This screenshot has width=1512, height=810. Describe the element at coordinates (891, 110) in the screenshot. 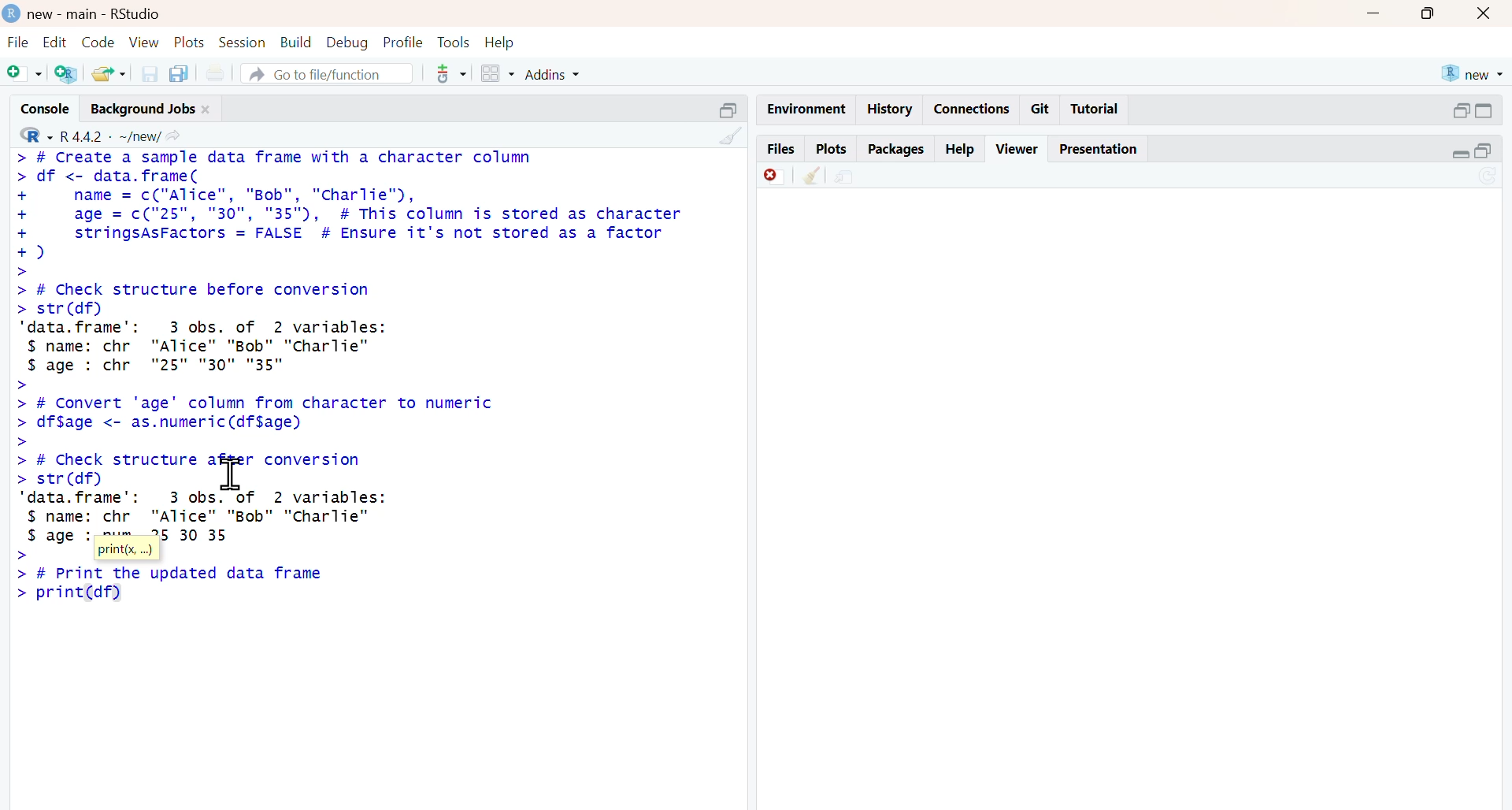

I see `history` at that location.